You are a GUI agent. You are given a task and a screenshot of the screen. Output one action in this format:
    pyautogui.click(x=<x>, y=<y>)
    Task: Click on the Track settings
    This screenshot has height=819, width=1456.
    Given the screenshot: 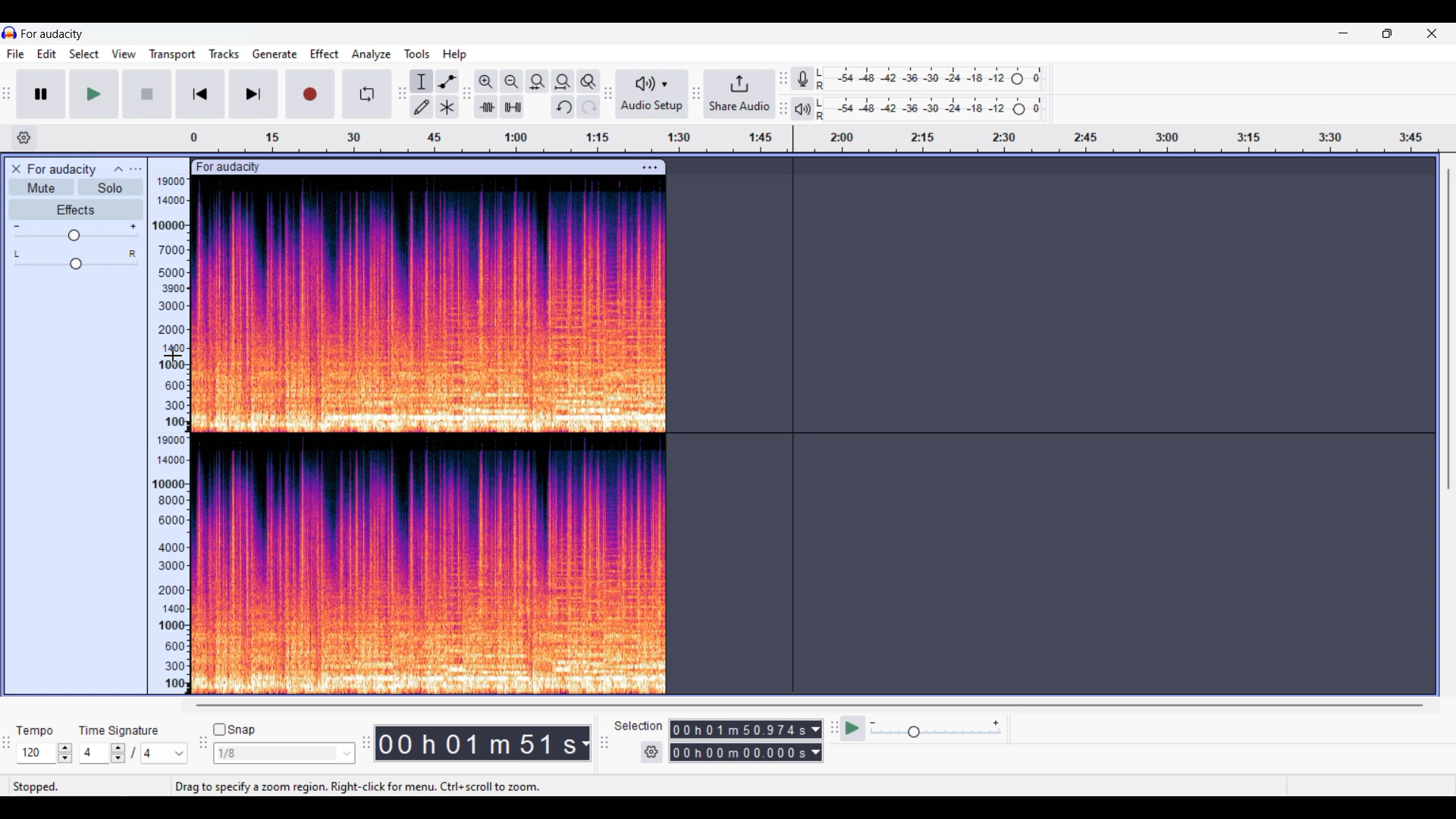 What is the action you would take?
    pyautogui.click(x=647, y=168)
    